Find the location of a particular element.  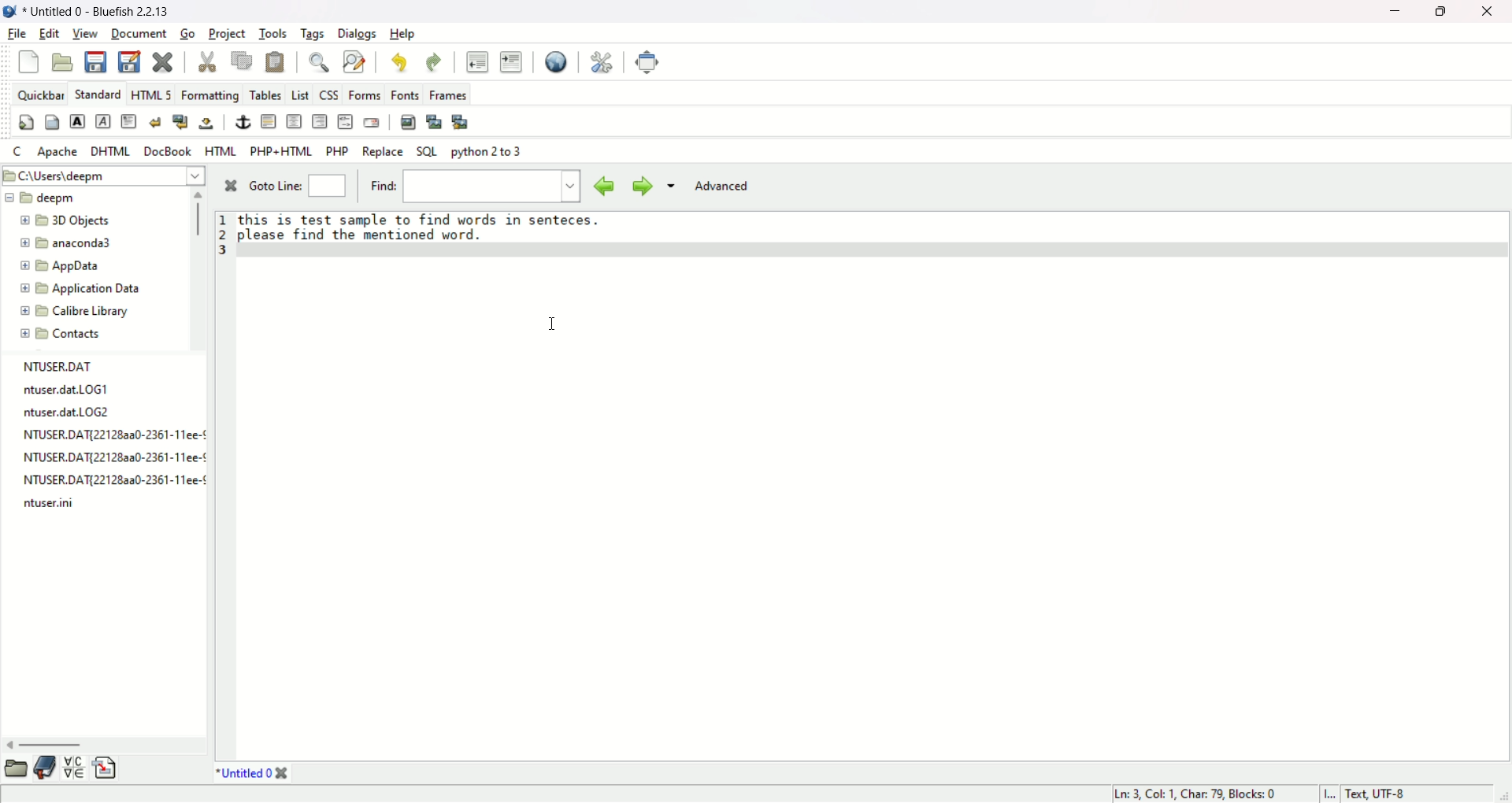

indent is located at coordinates (511, 61).